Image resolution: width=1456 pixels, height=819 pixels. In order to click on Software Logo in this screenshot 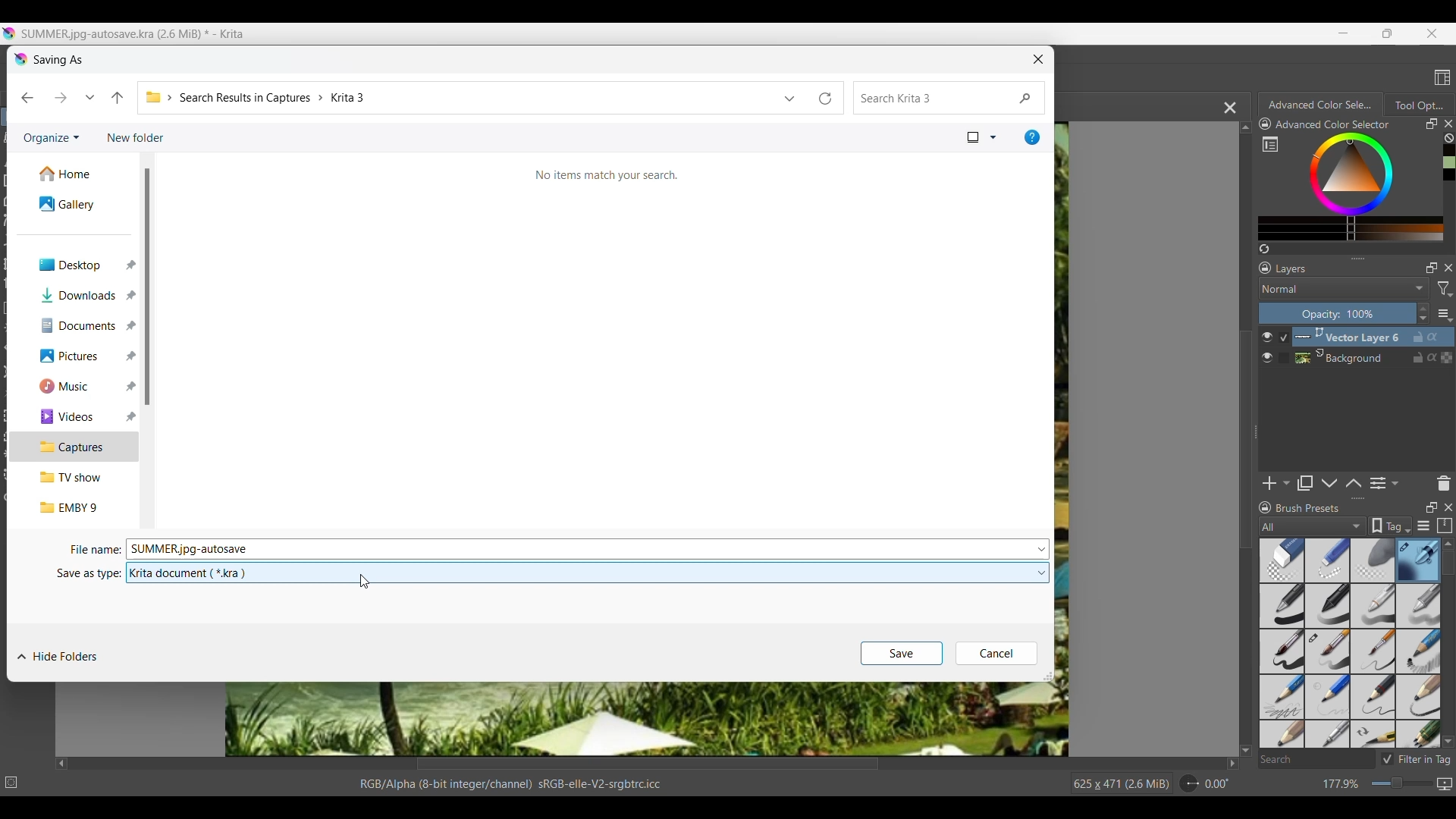, I will do `click(22, 60)`.